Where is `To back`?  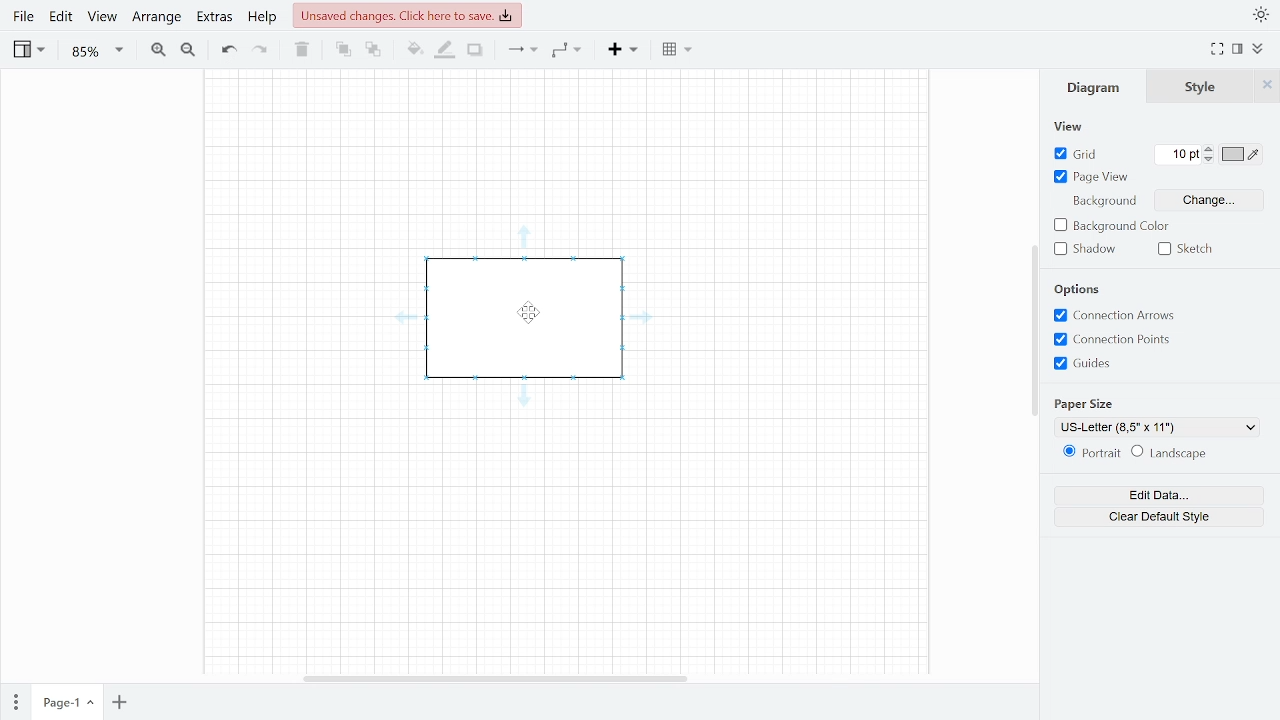
To back is located at coordinates (372, 51).